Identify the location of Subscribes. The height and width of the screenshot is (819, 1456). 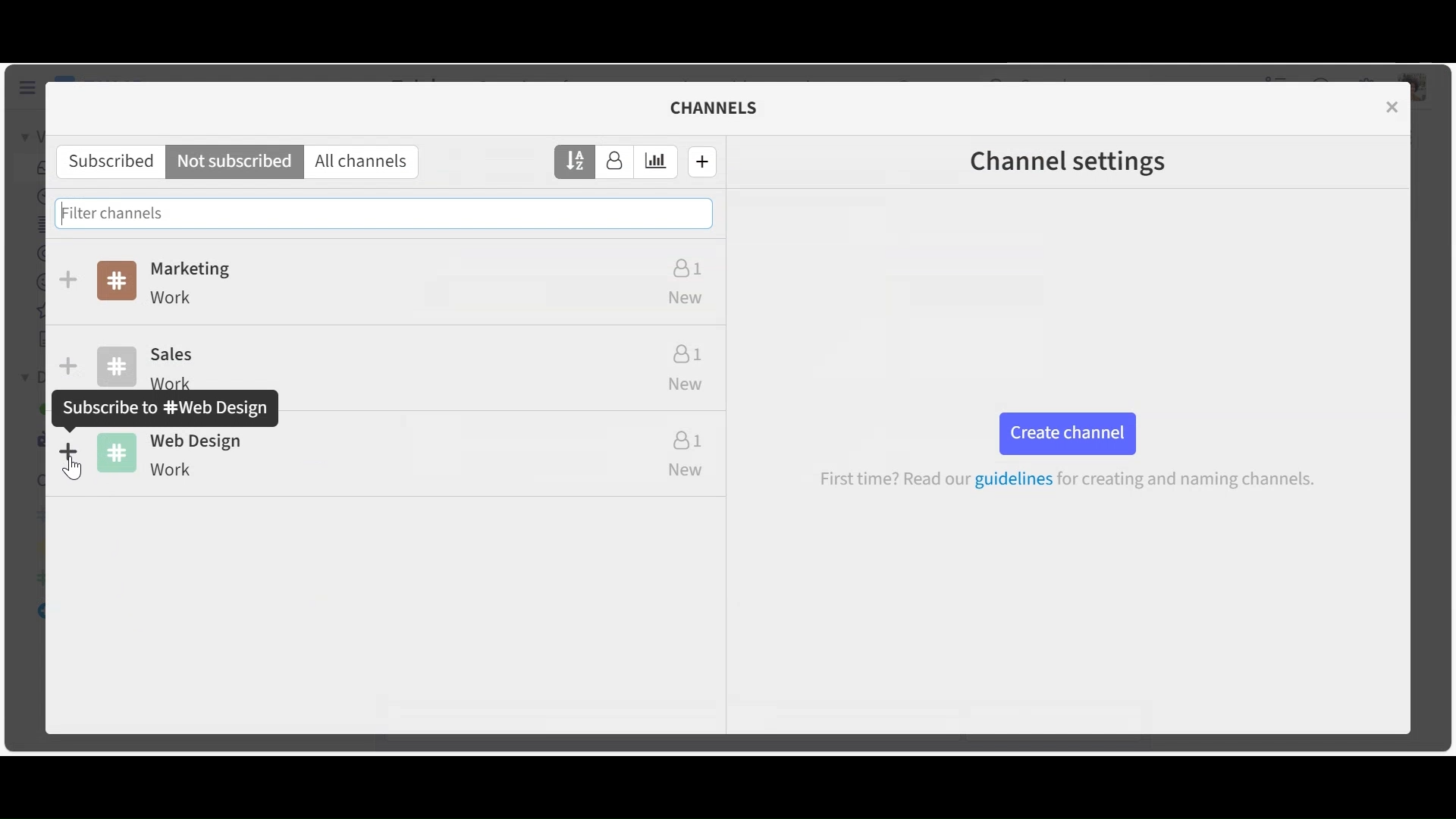
(107, 161).